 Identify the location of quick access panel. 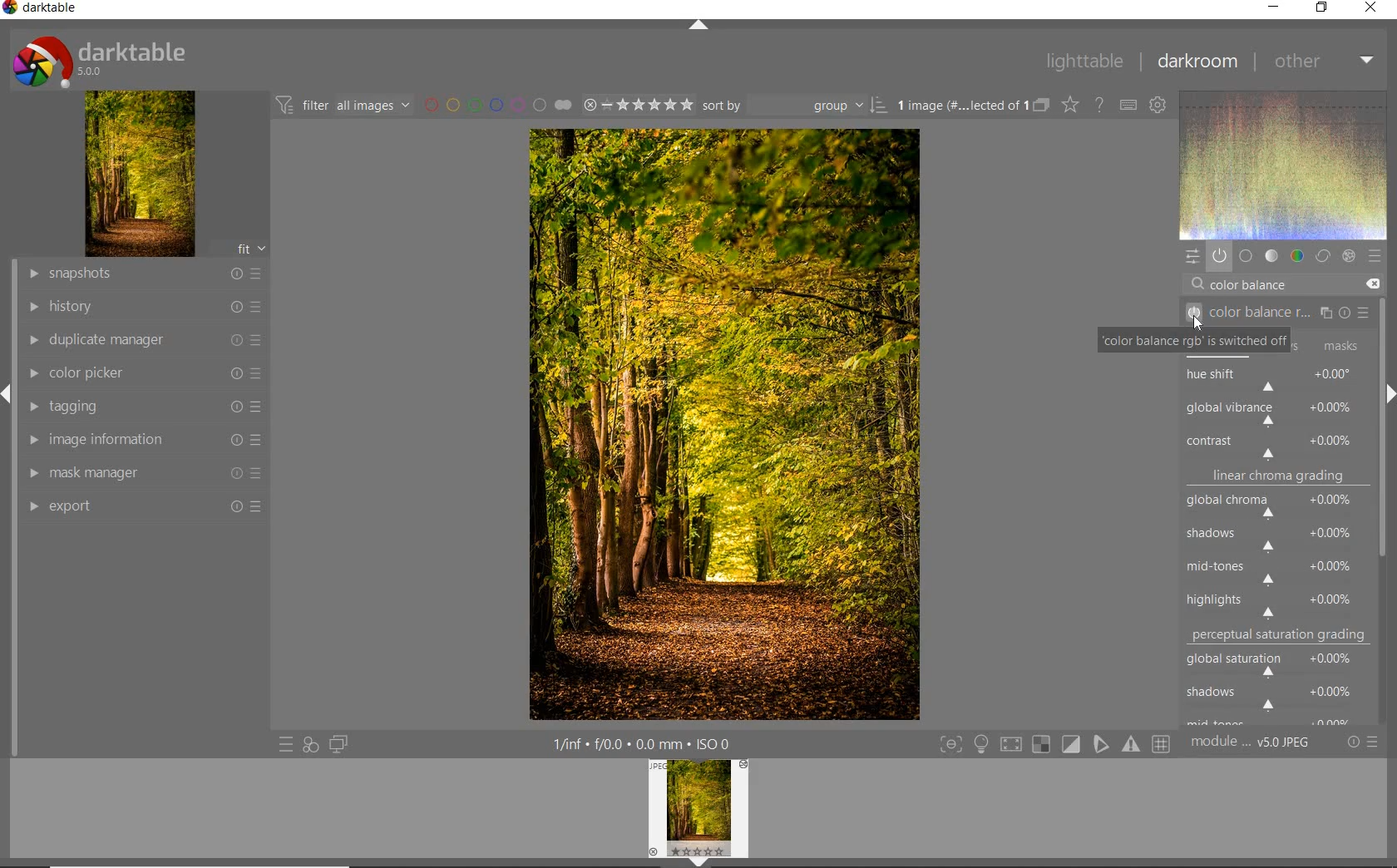
(1190, 256).